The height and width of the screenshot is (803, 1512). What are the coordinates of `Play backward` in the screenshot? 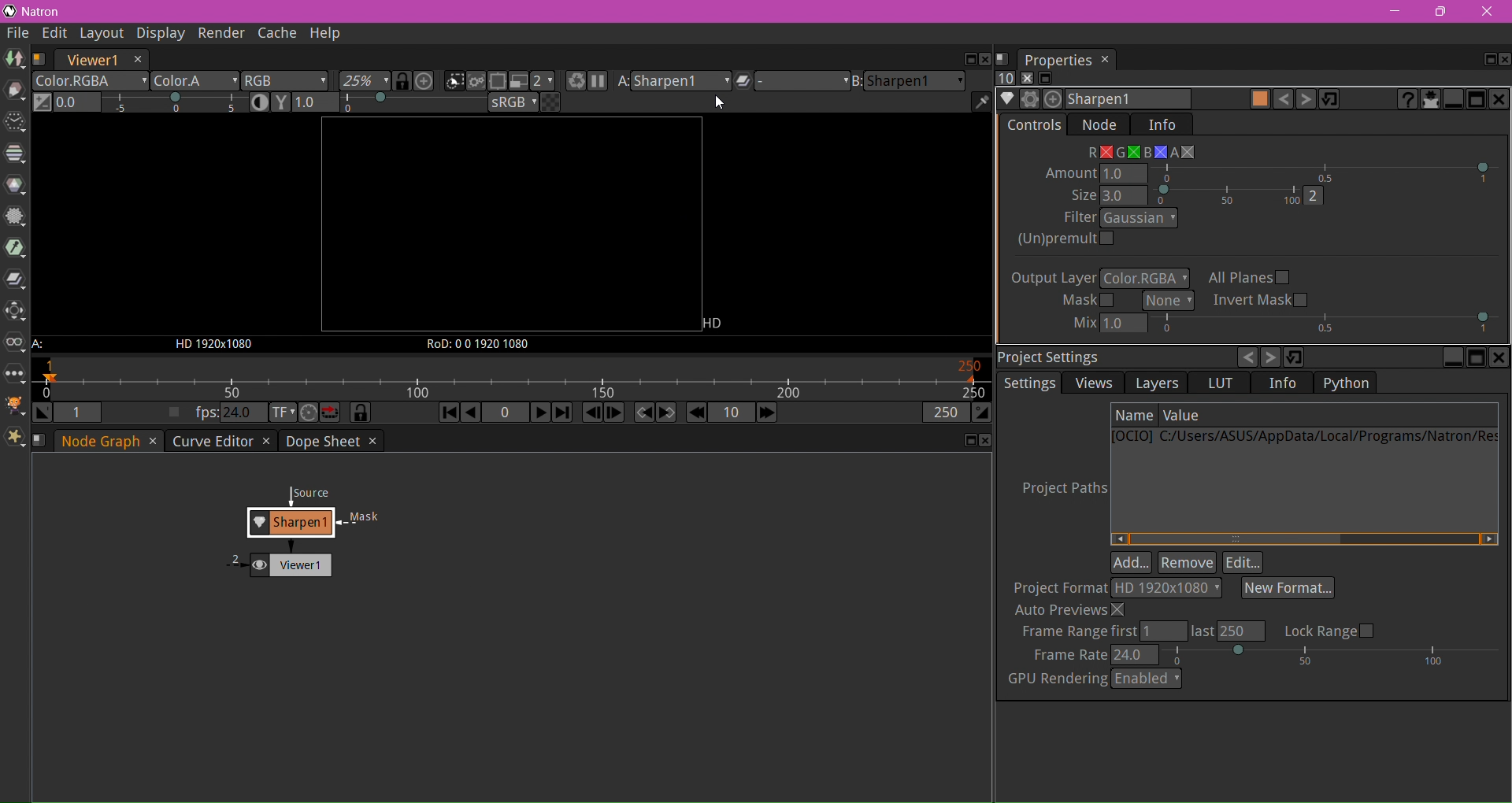 It's located at (472, 415).